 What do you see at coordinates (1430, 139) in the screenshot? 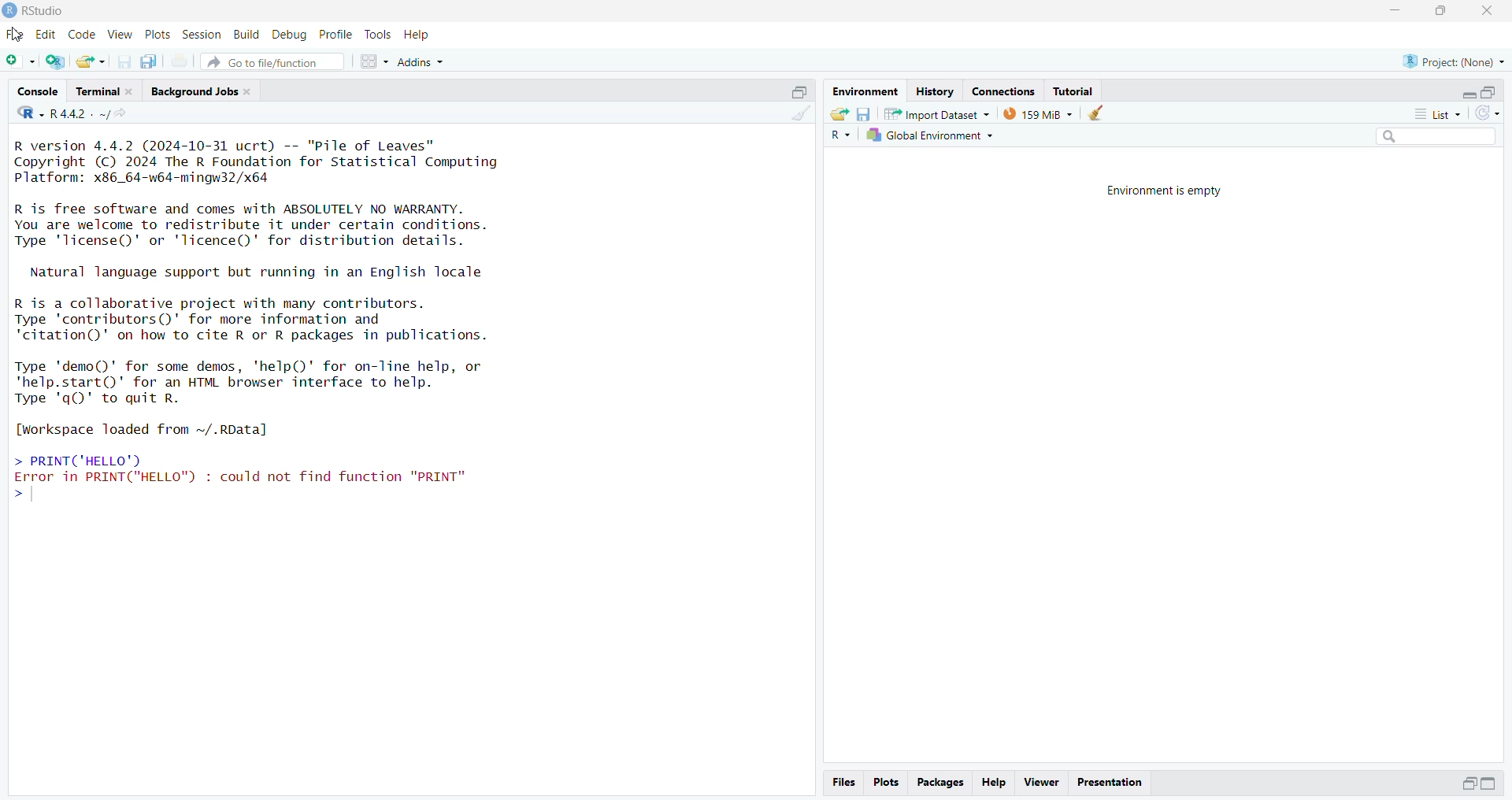
I see `search` at bounding box center [1430, 139].